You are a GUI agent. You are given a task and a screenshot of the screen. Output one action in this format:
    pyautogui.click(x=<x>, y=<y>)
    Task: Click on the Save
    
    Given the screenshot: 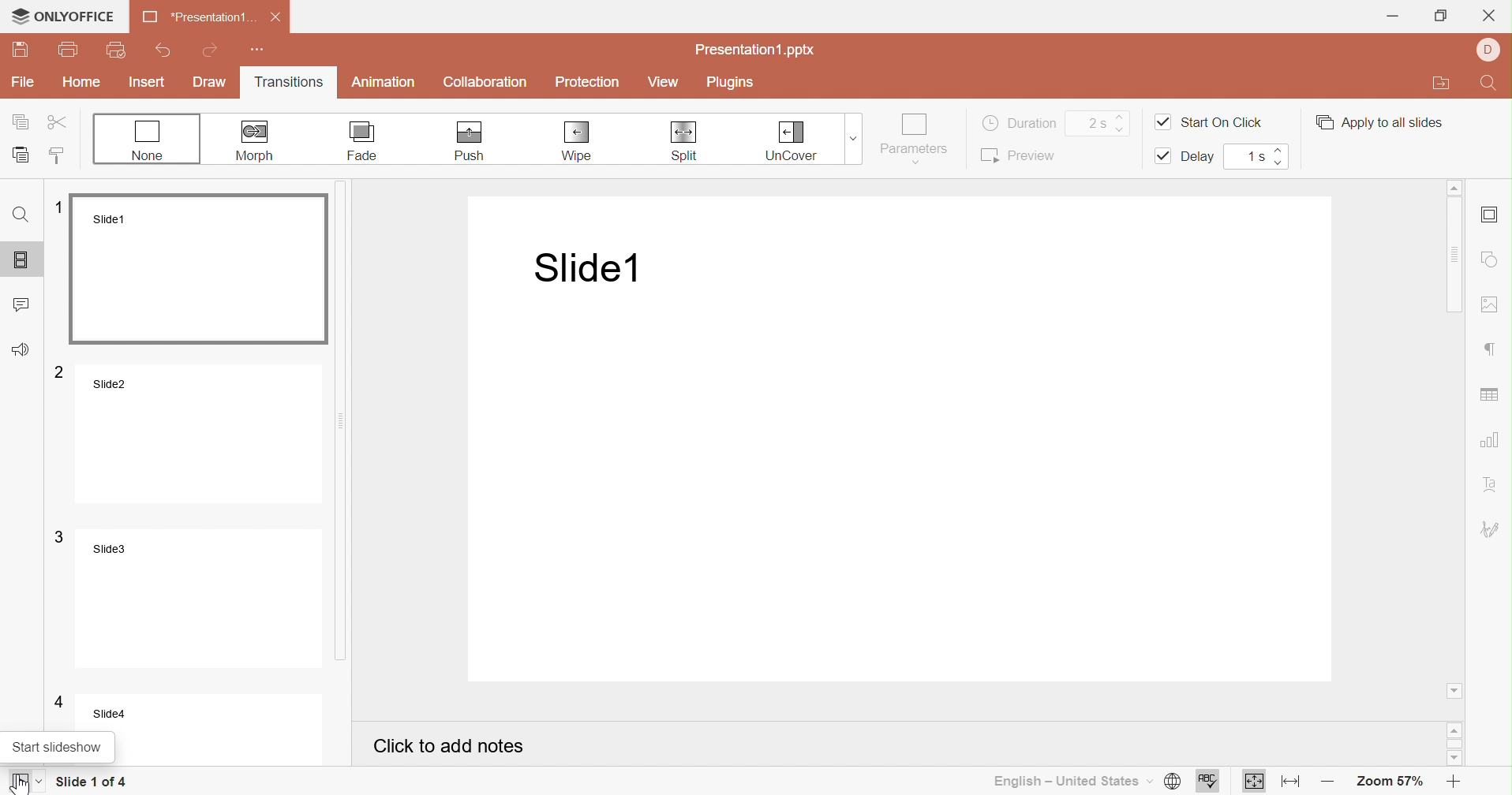 What is the action you would take?
    pyautogui.click(x=21, y=49)
    